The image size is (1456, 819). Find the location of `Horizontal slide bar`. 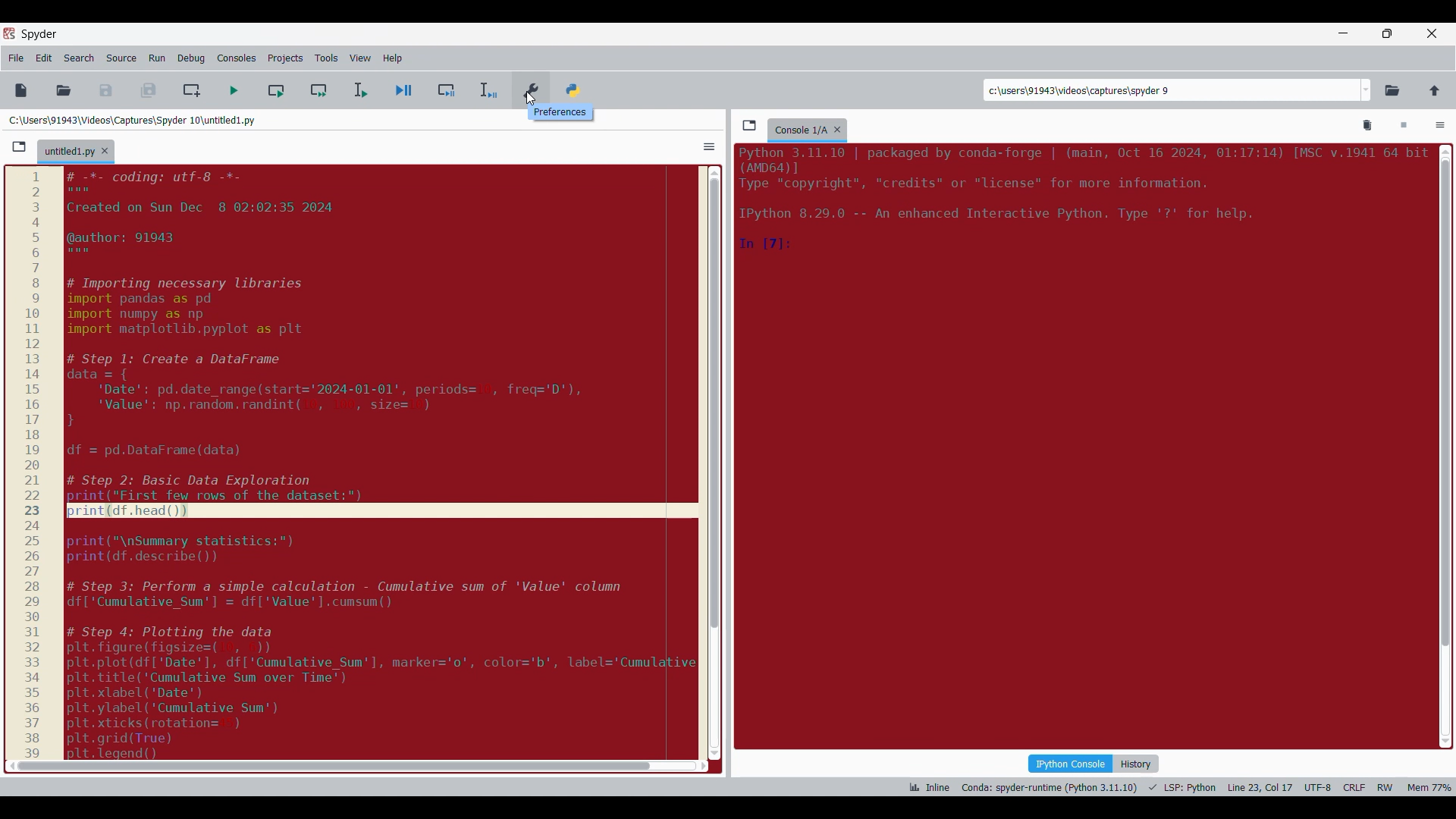

Horizontal slide bar is located at coordinates (357, 766).